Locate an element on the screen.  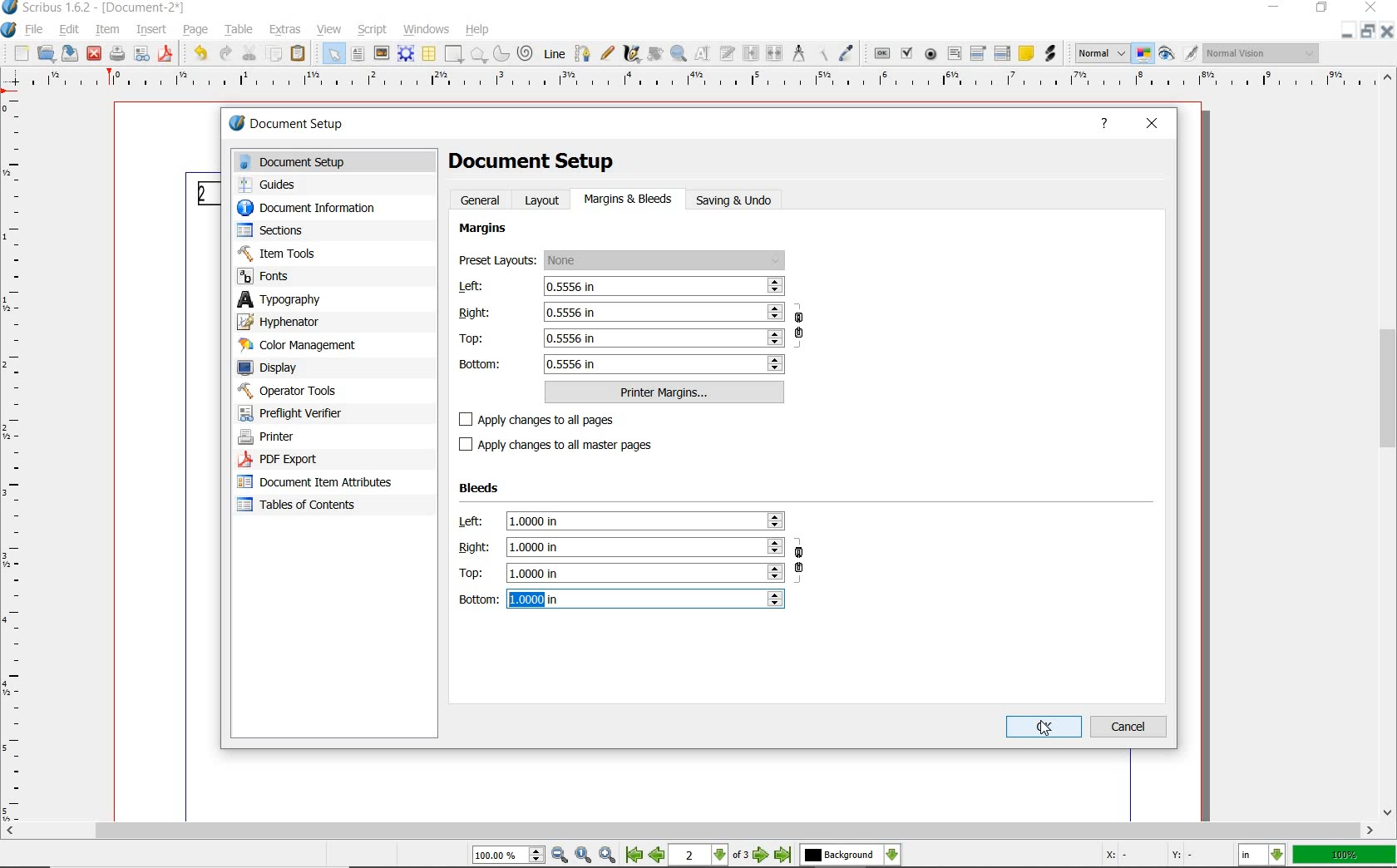
edit text with story editor is located at coordinates (728, 53).